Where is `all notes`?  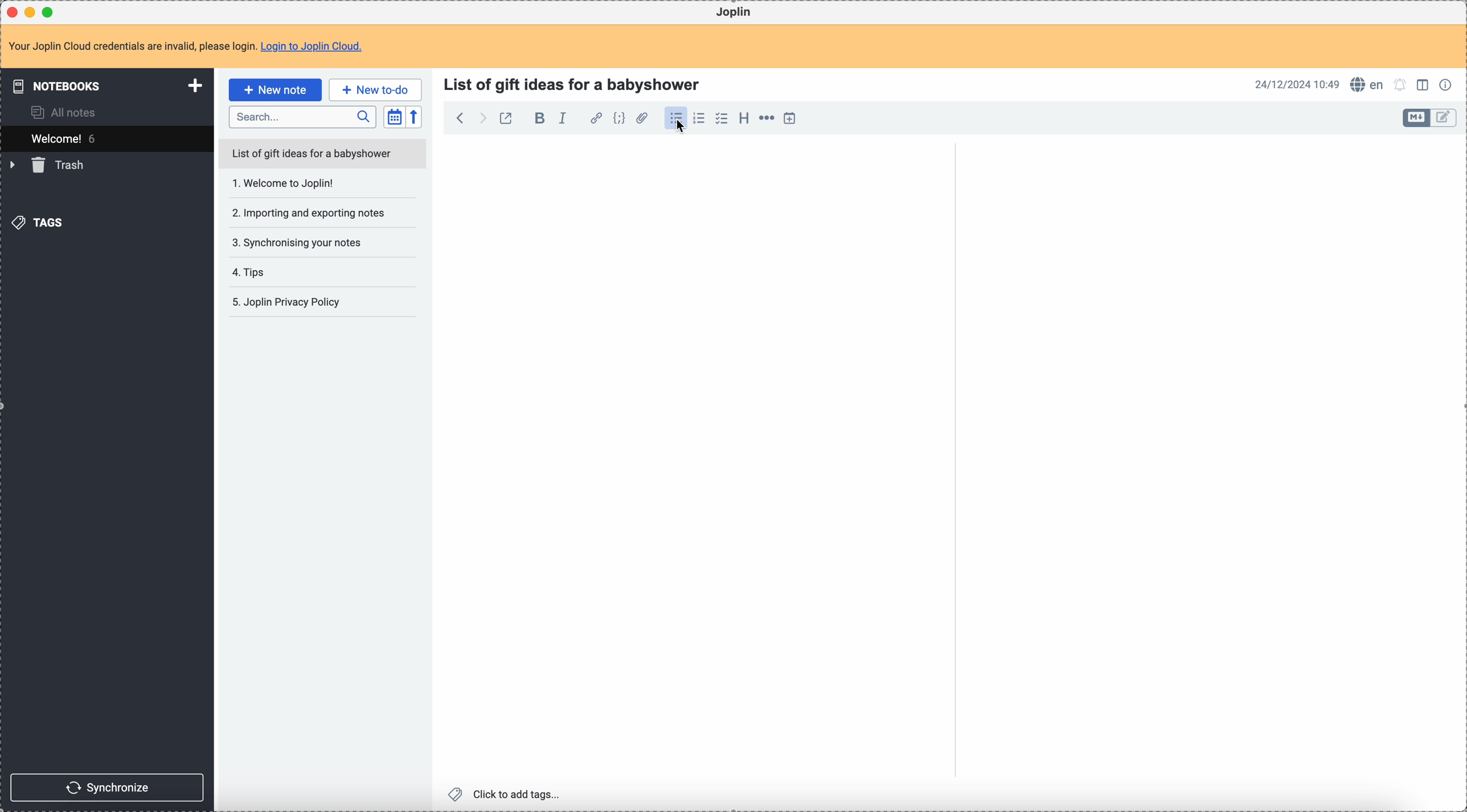 all notes is located at coordinates (65, 112).